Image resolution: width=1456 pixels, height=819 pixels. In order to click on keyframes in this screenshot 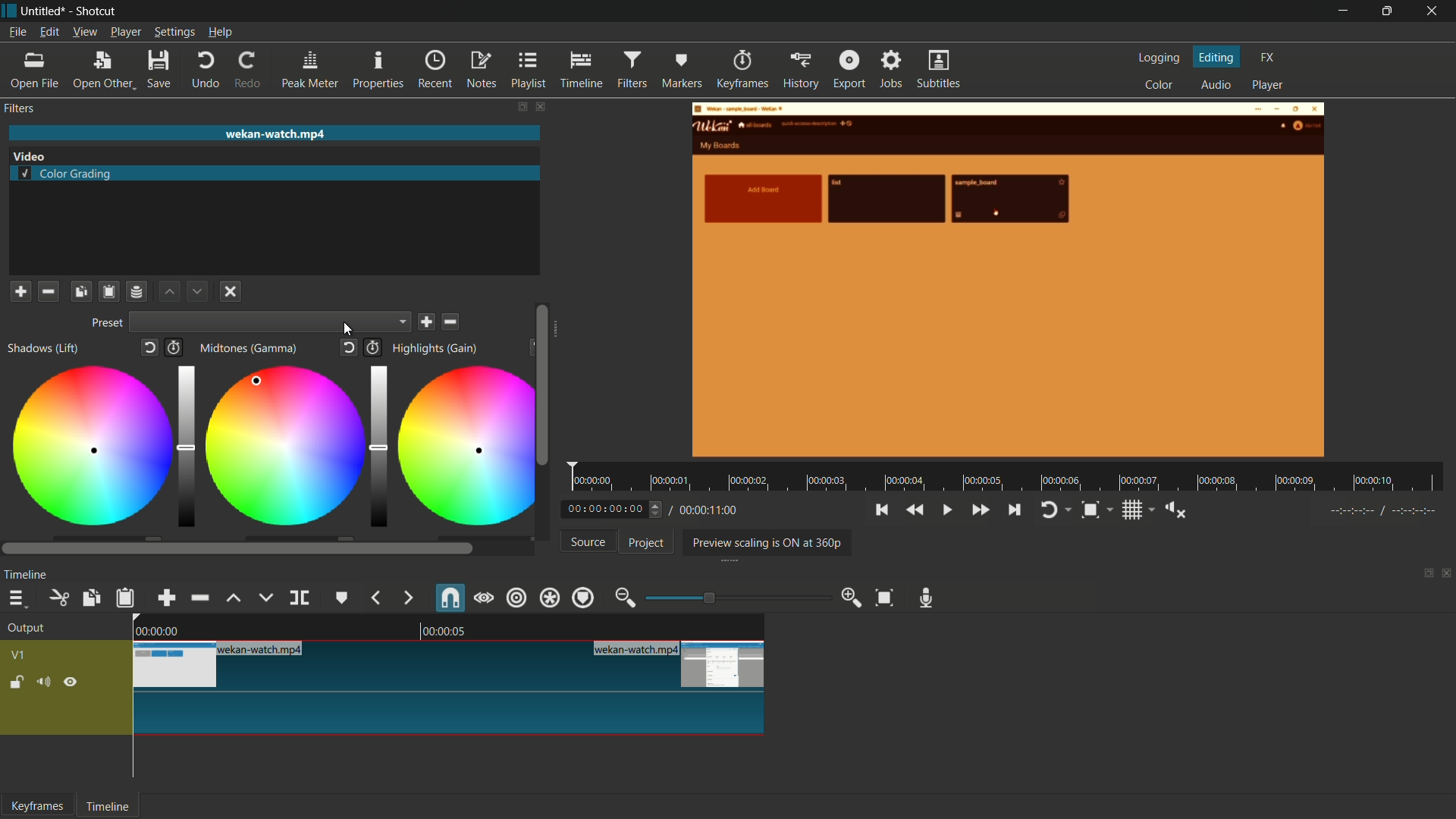, I will do `click(38, 806)`.